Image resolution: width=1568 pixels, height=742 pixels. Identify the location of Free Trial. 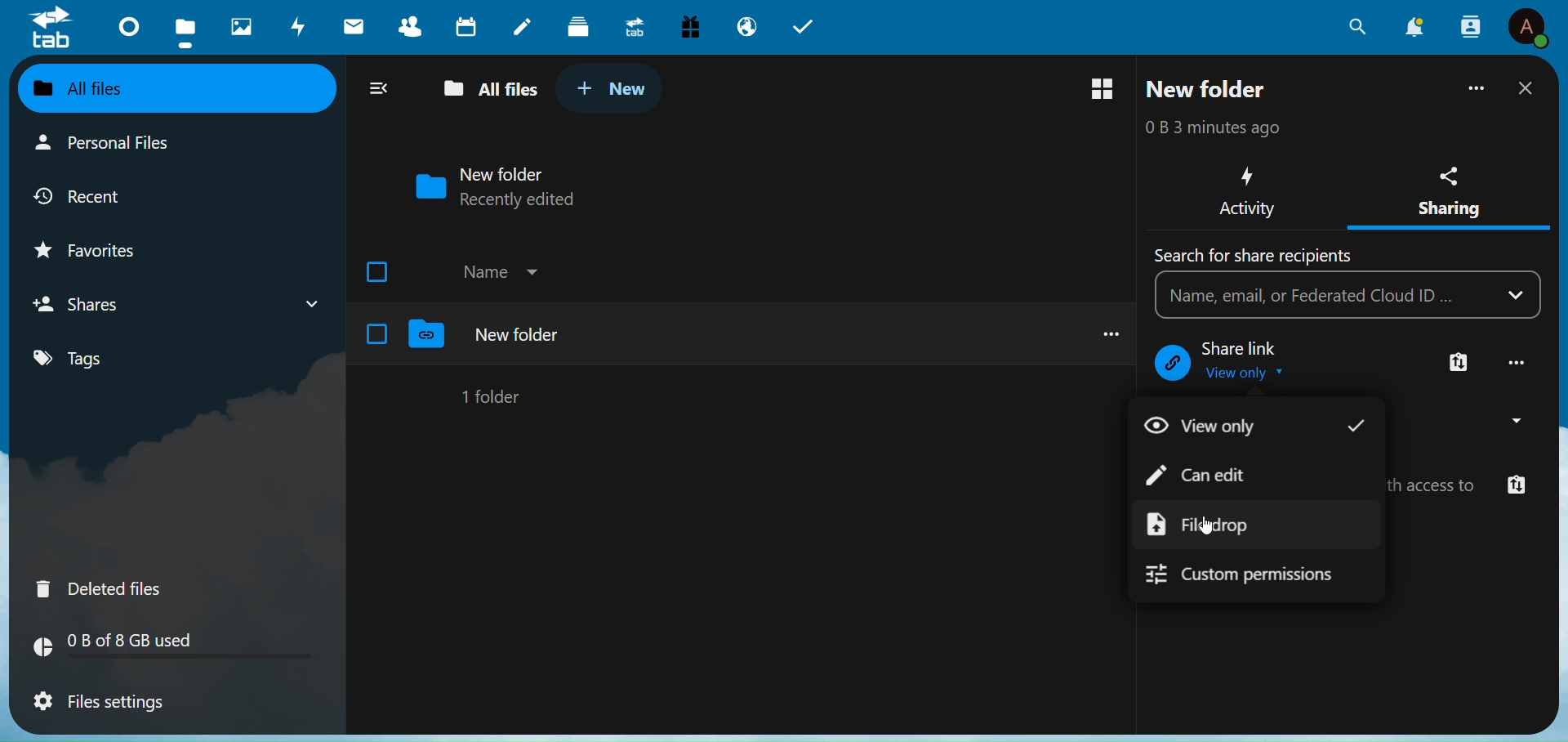
(690, 25).